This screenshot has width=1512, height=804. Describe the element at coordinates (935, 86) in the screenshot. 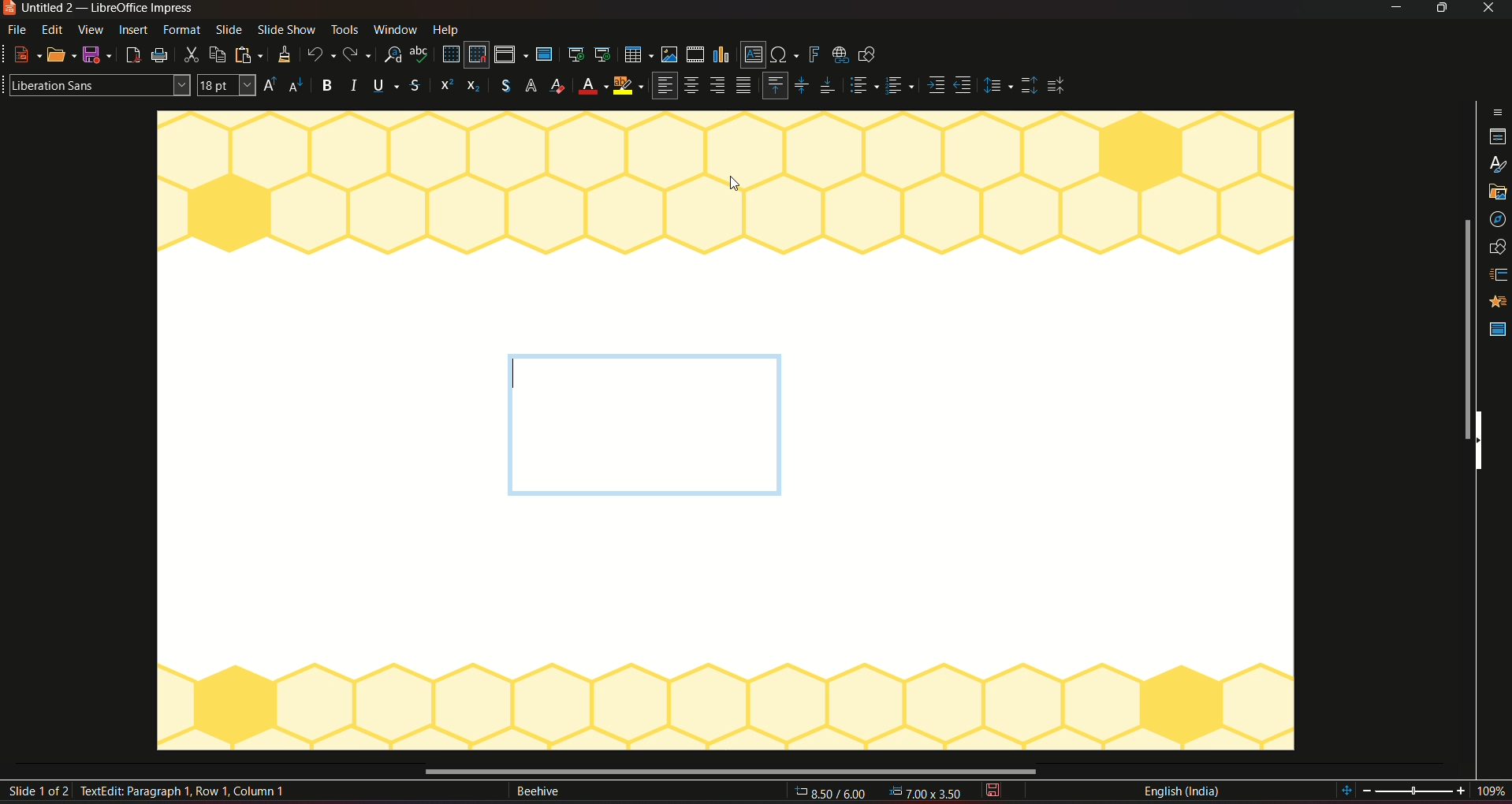

I see `Align side 1` at that location.